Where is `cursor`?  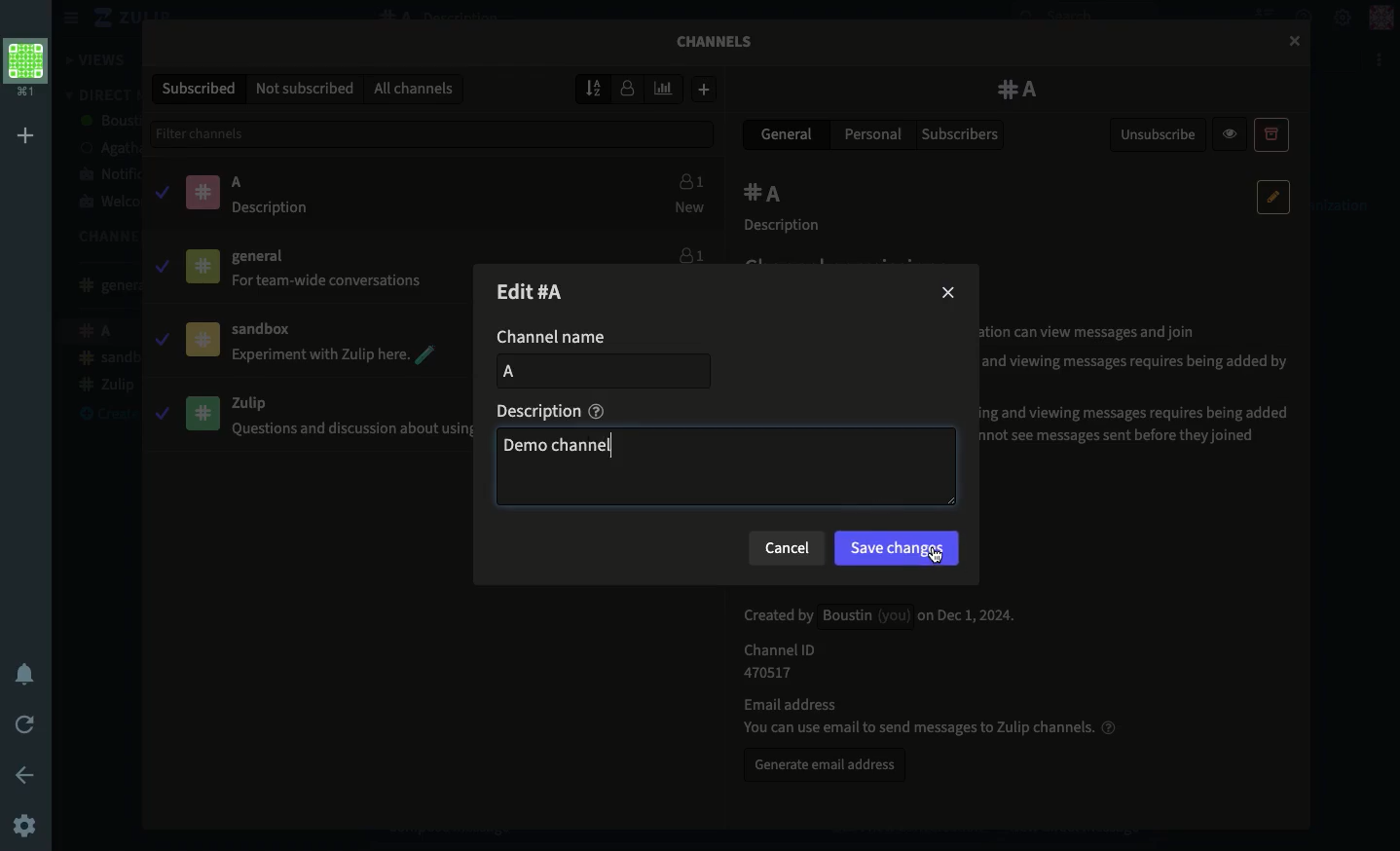
cursor is located at coordinates (1294, 41).